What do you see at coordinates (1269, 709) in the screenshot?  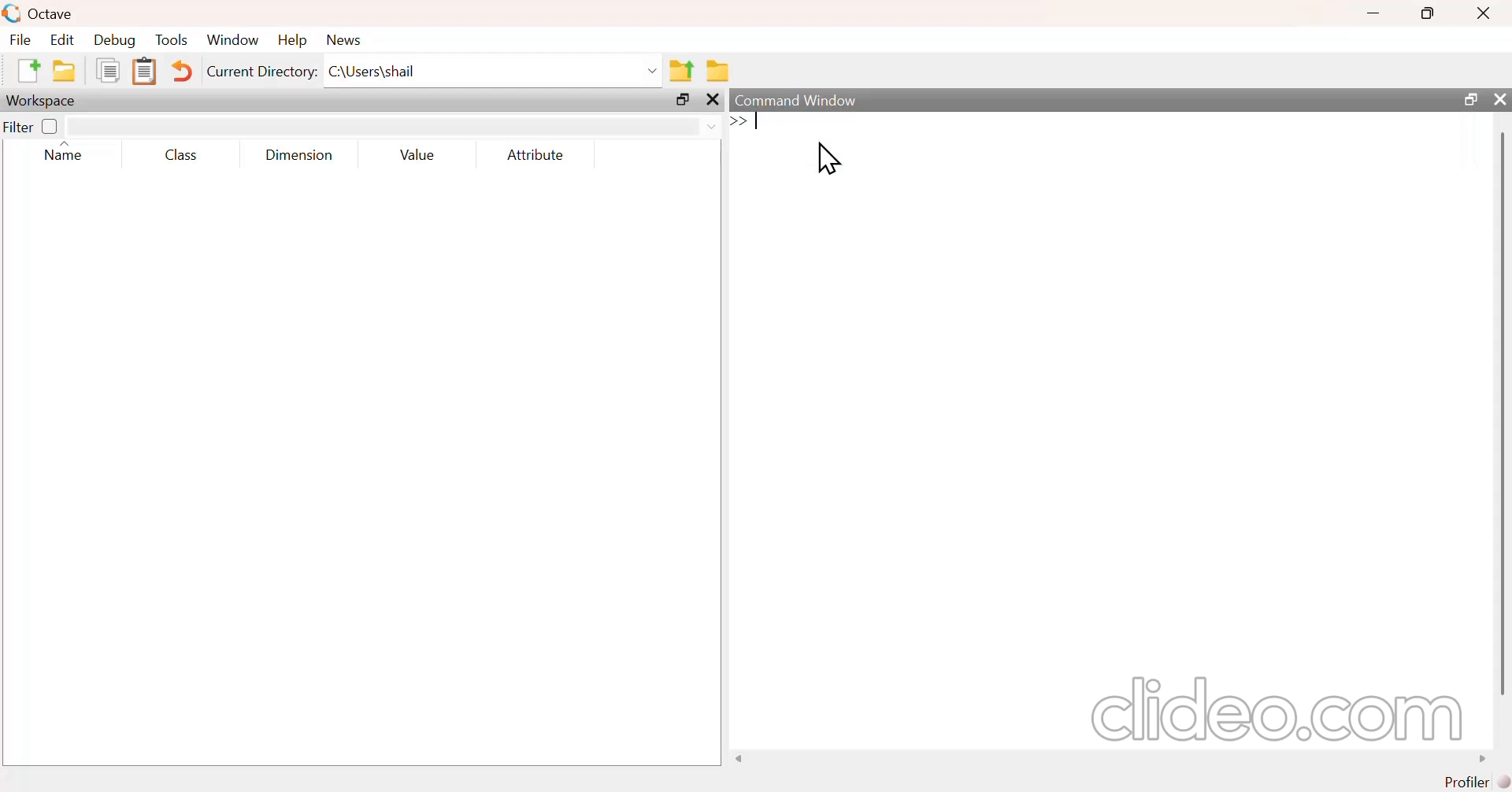 I see `clideo.com` at bounding box center [1269, 709].